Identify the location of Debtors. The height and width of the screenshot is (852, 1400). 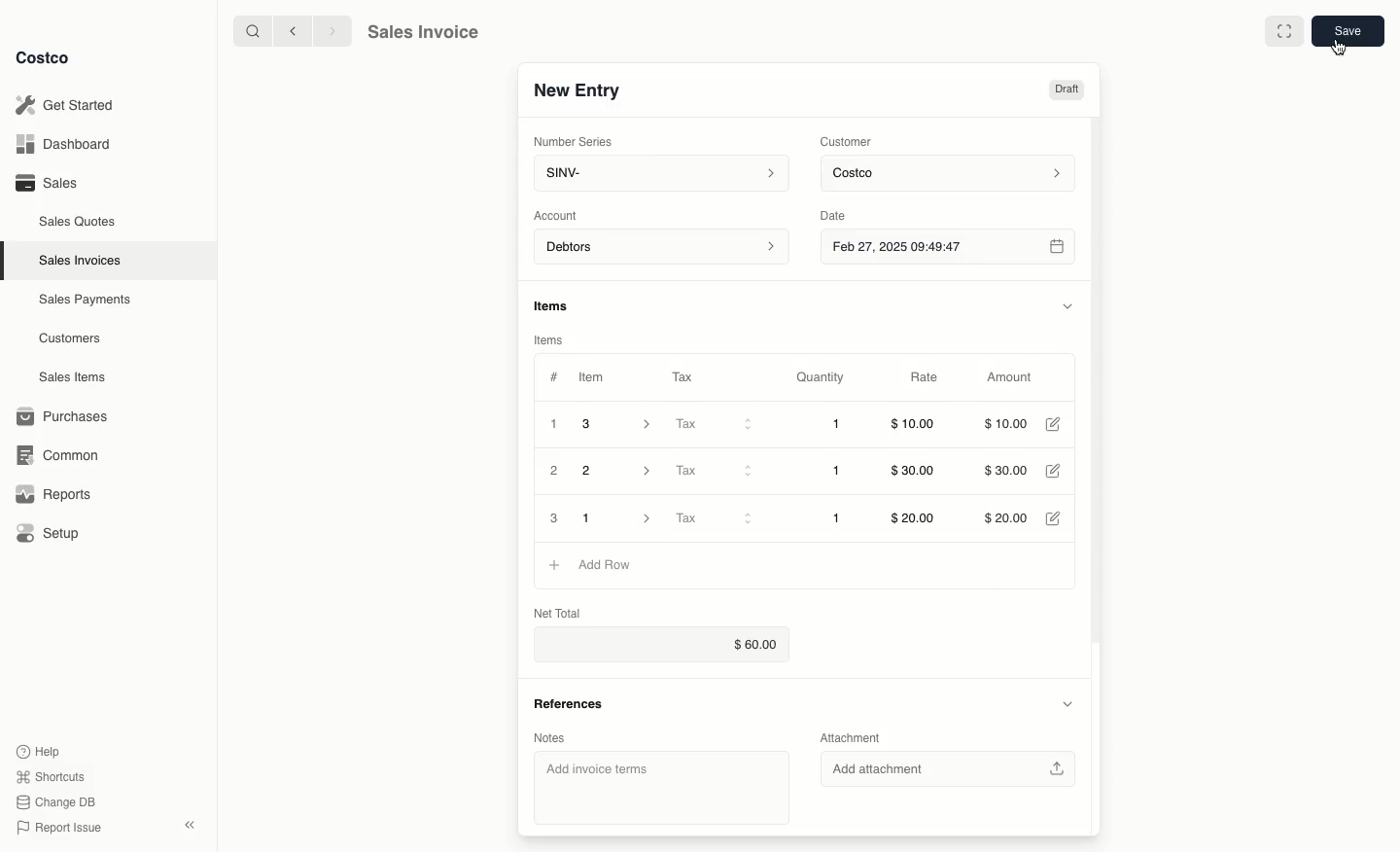
(662, 248).